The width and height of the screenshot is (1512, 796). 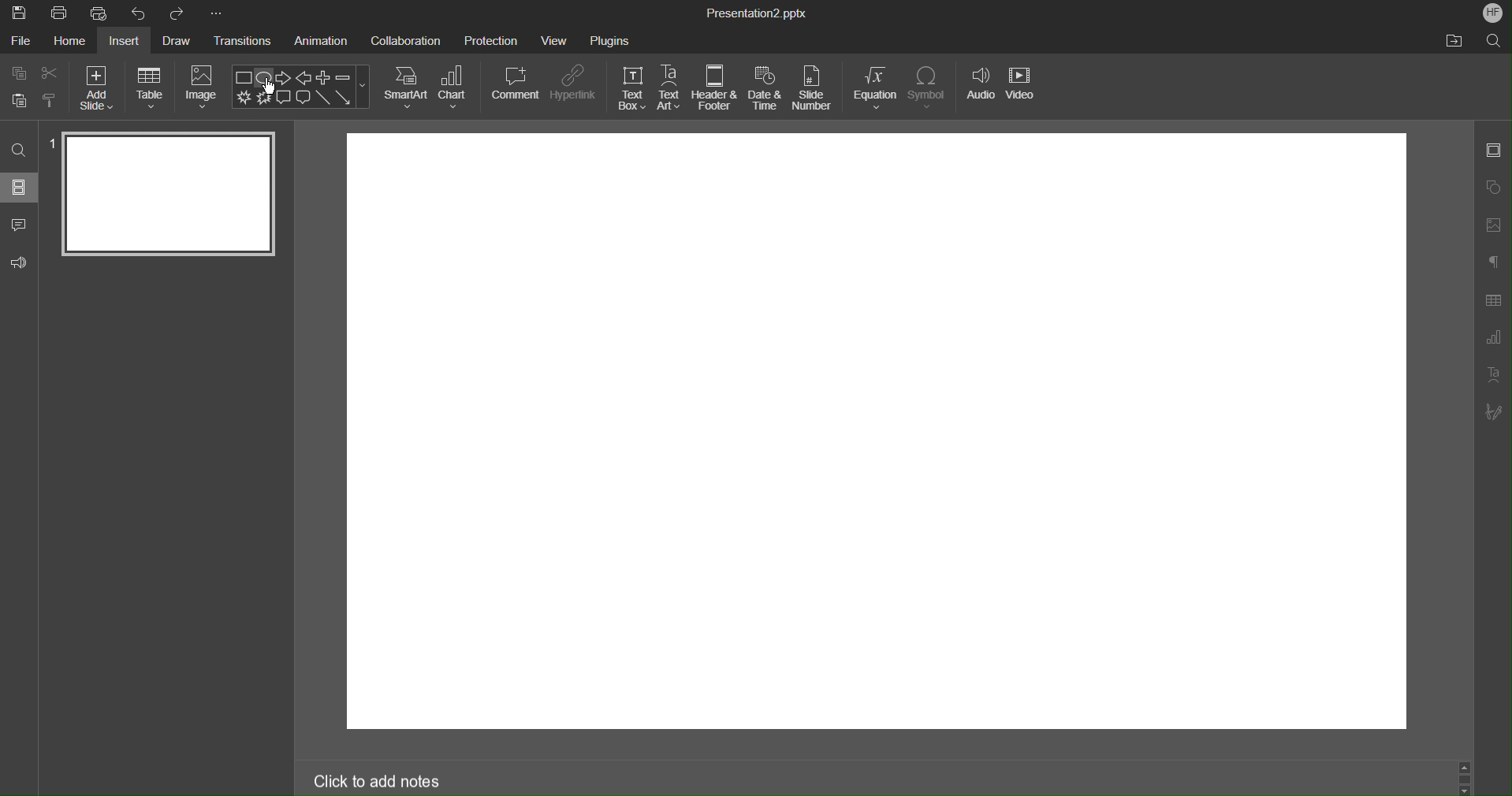 What do you see at coordinates (1490, 340) in the screenshot?
I see `Graph Settings` at bounding box center [1490, 340].